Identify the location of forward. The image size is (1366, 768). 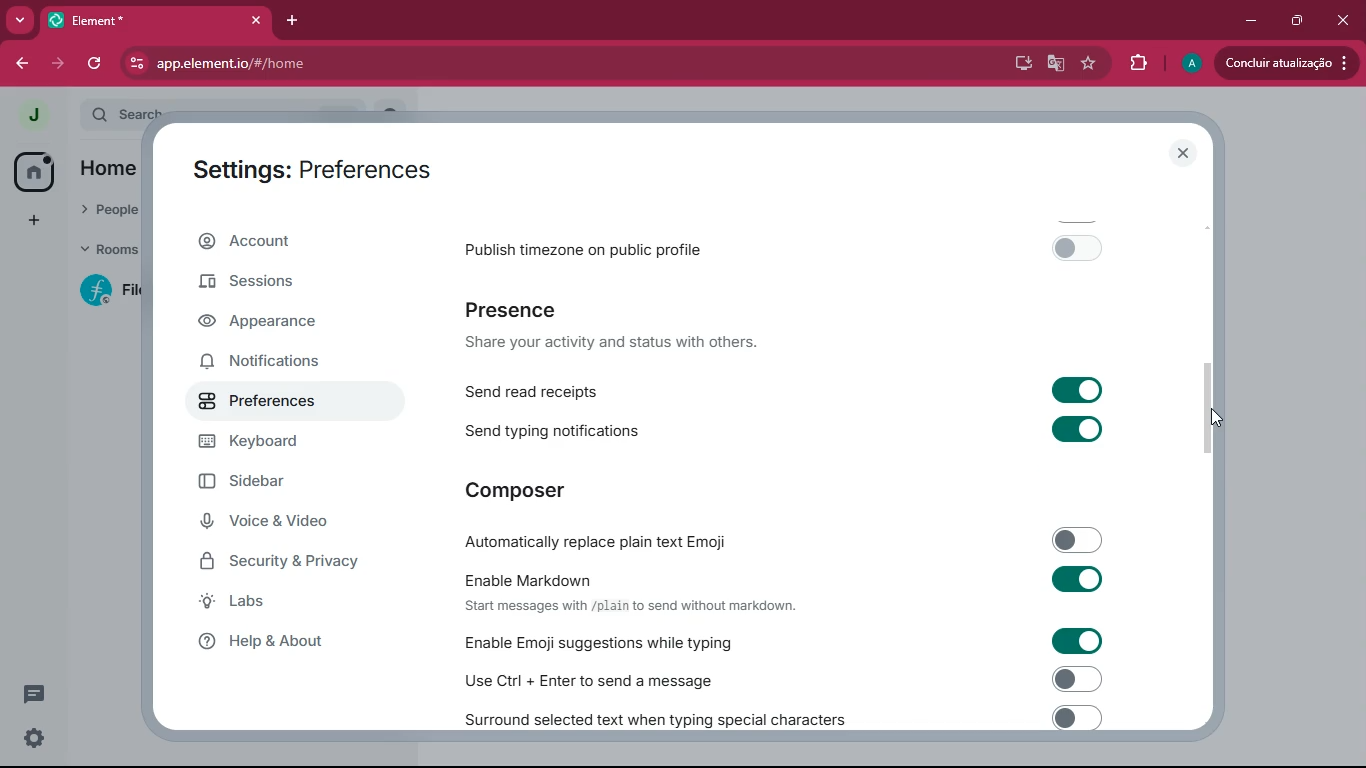
(55, 64).